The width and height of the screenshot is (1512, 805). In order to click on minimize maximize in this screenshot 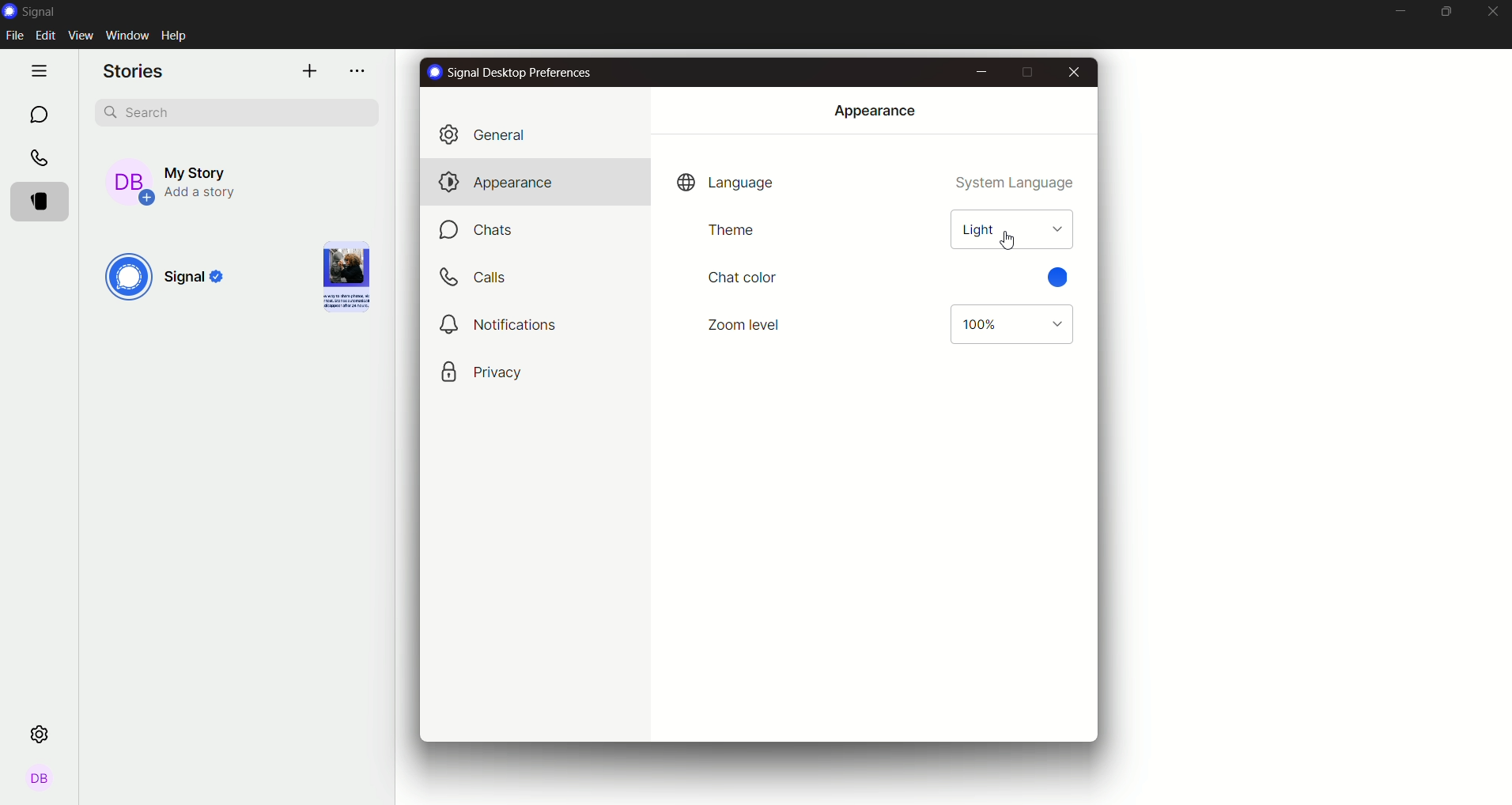, I will do `click(1447, 12)`.